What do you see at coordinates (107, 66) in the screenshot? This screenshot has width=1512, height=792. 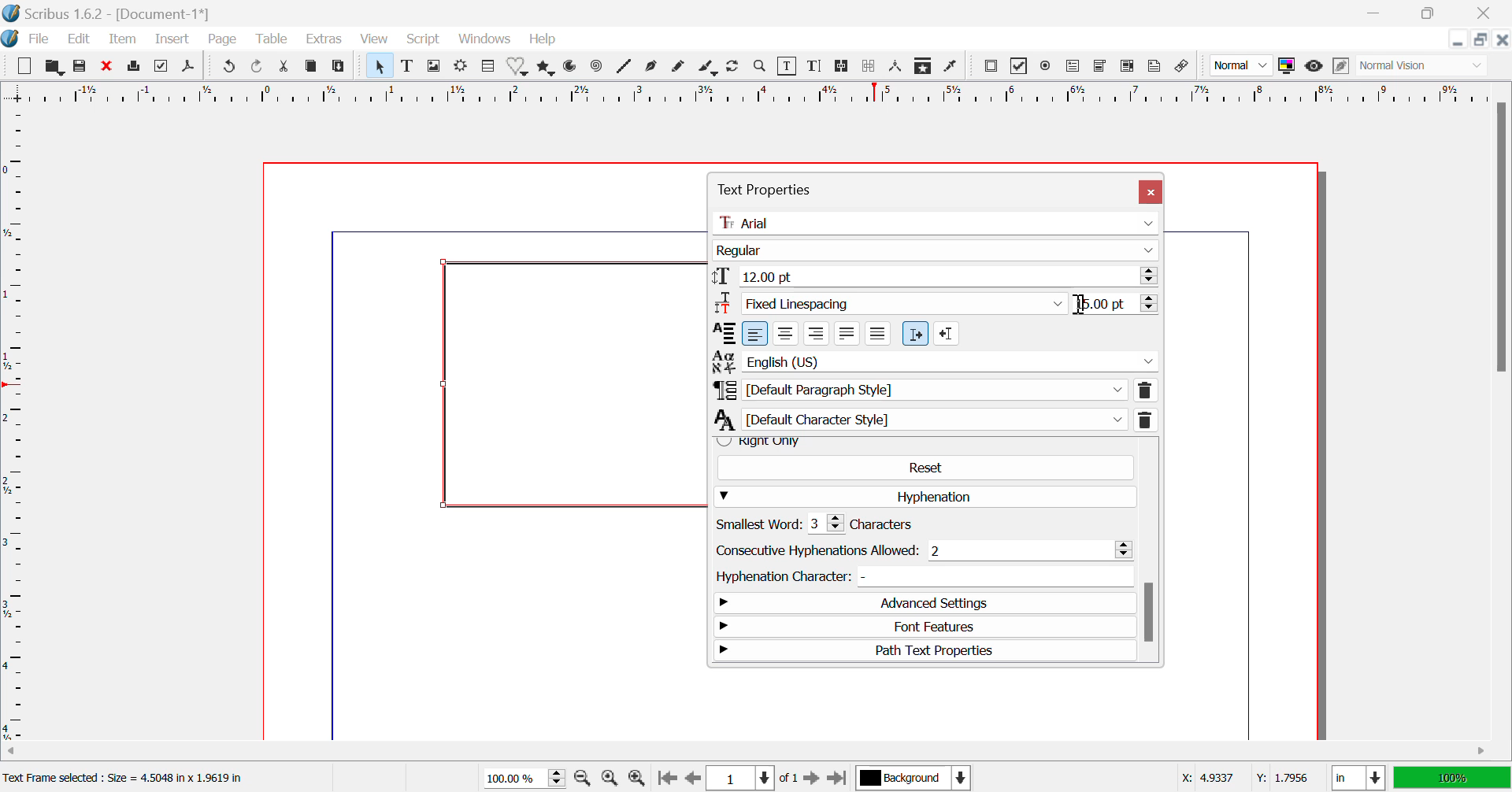 I see `Discard` at bounding box center [107, 66].